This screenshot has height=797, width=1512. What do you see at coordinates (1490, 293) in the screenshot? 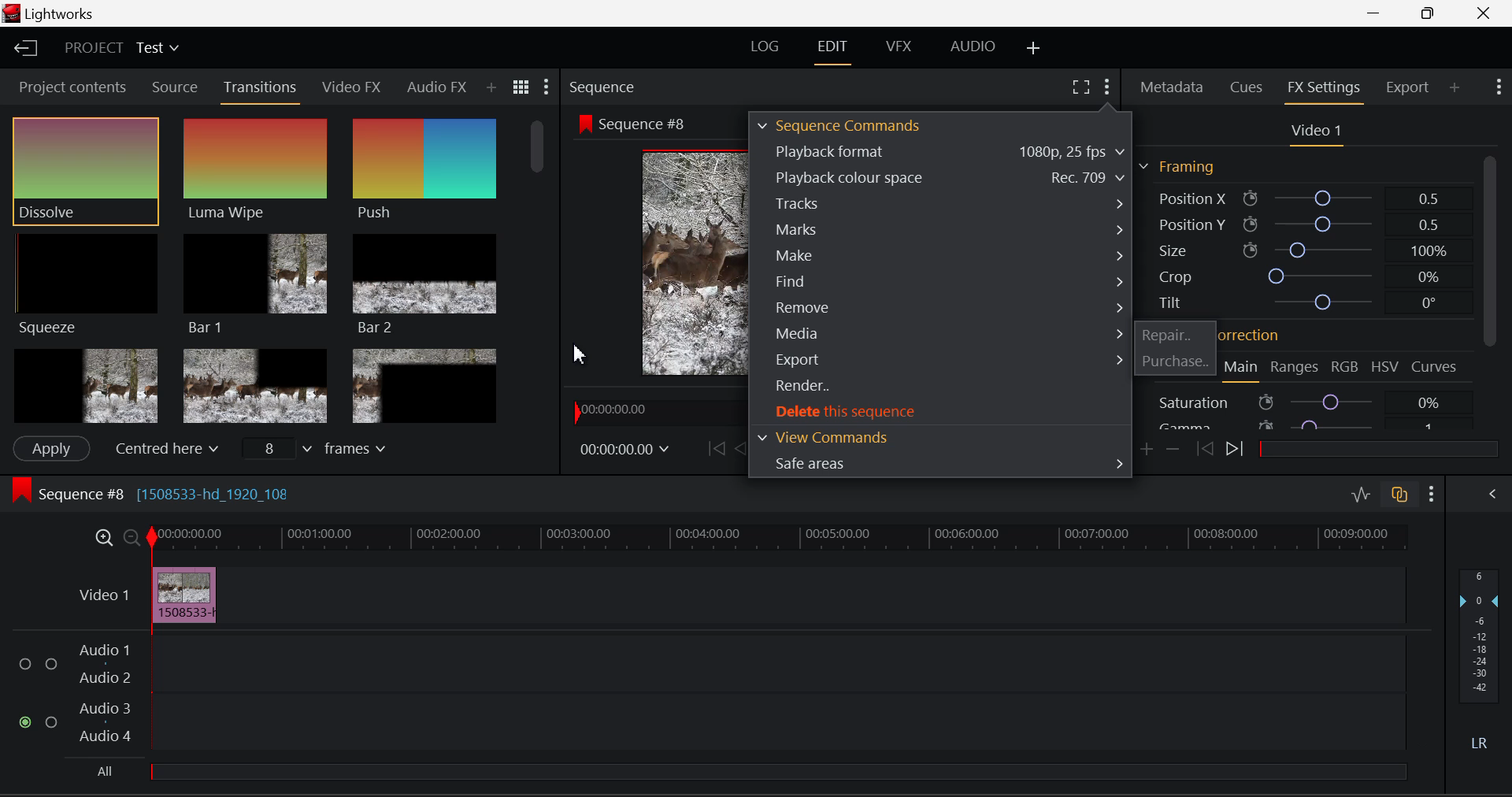
I see `Scroll Bar` at bounding box center [1490, 293].